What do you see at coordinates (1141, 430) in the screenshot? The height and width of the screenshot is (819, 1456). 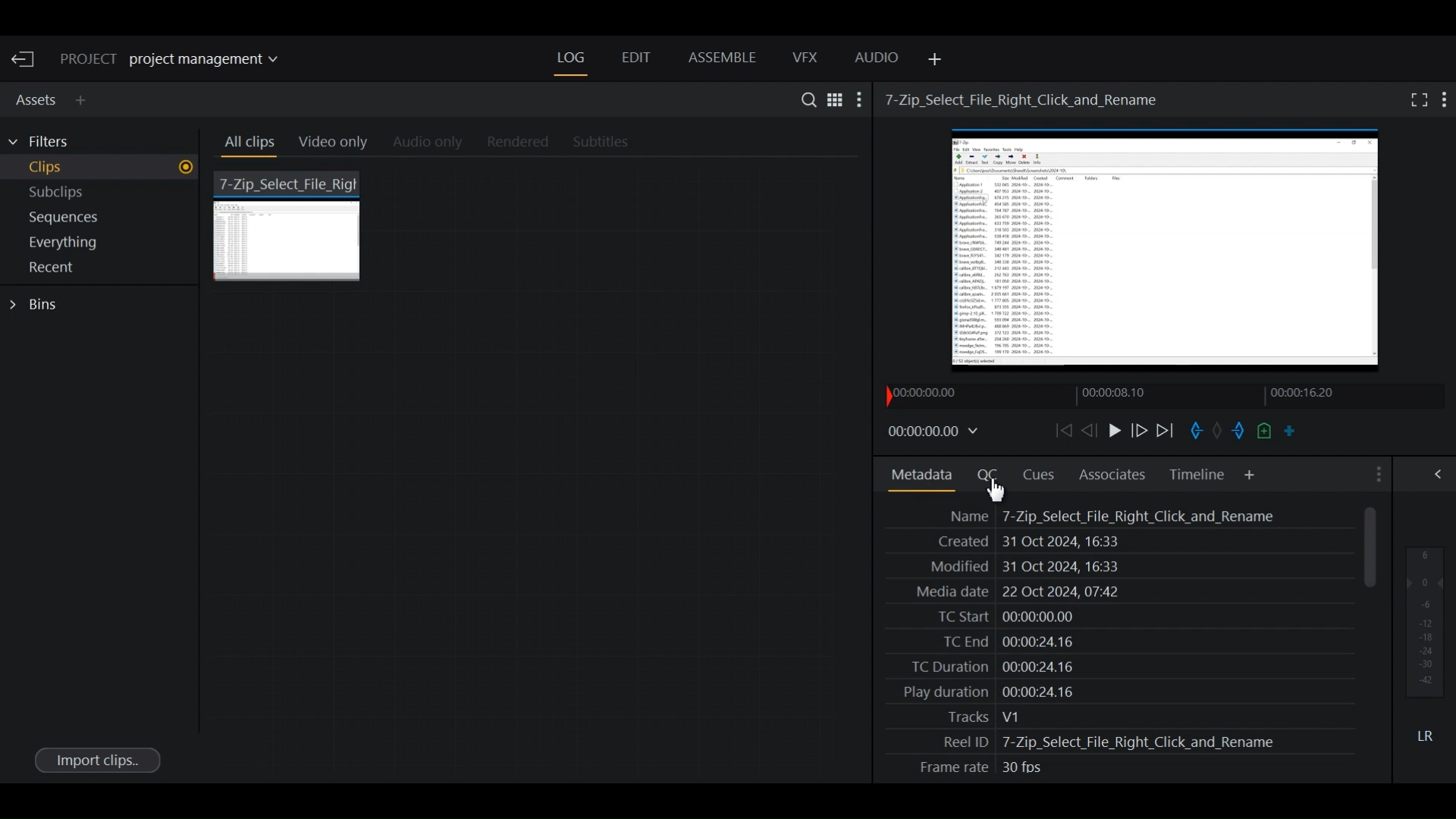 I see `Nudge frame forward` at bounding box center [1141, 430].